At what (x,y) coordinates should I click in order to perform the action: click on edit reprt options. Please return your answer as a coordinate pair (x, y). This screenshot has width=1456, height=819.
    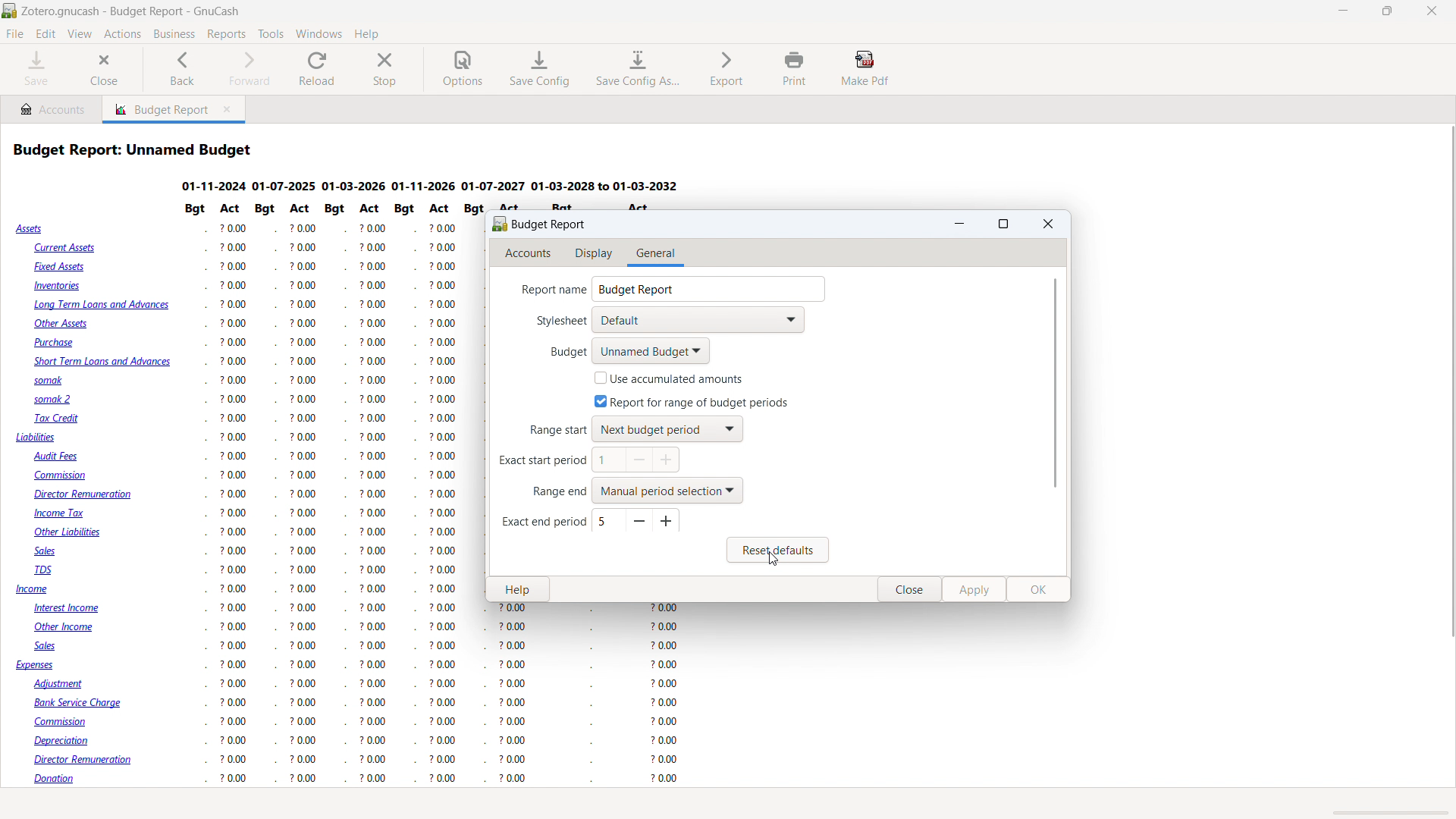
    Looking at the image, I should click on (67, 805).